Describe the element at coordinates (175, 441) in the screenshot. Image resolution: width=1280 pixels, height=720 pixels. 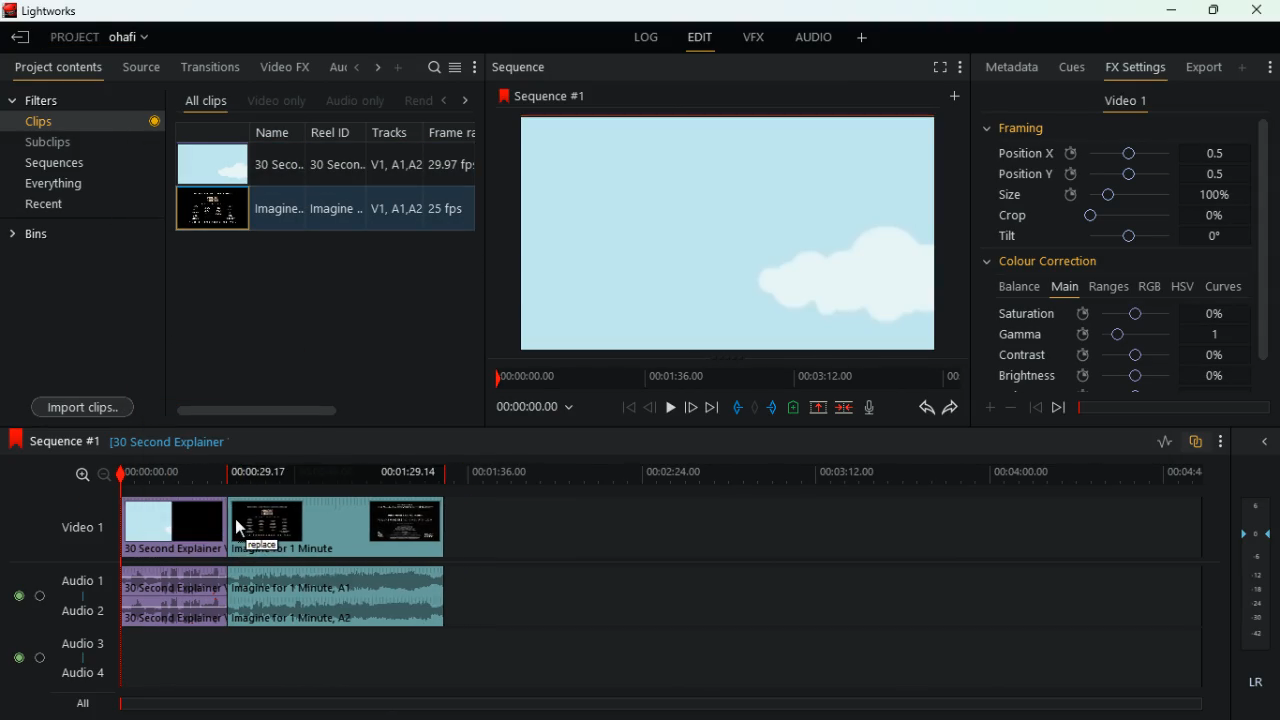
I see `explanation` at that location.